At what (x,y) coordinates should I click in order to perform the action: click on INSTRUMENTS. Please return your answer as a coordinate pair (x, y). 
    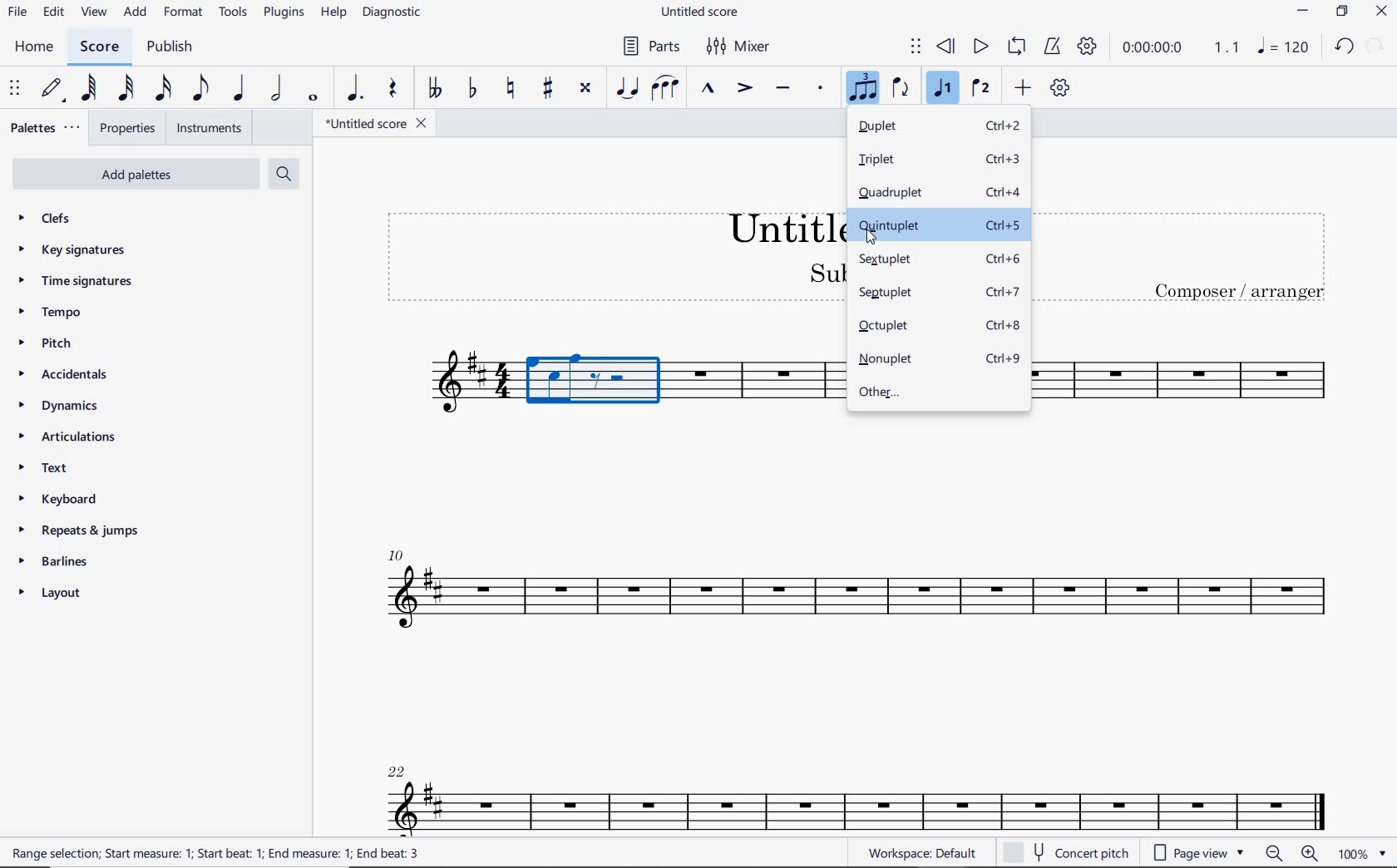
    Looking at the image, I should click on (208, 129).